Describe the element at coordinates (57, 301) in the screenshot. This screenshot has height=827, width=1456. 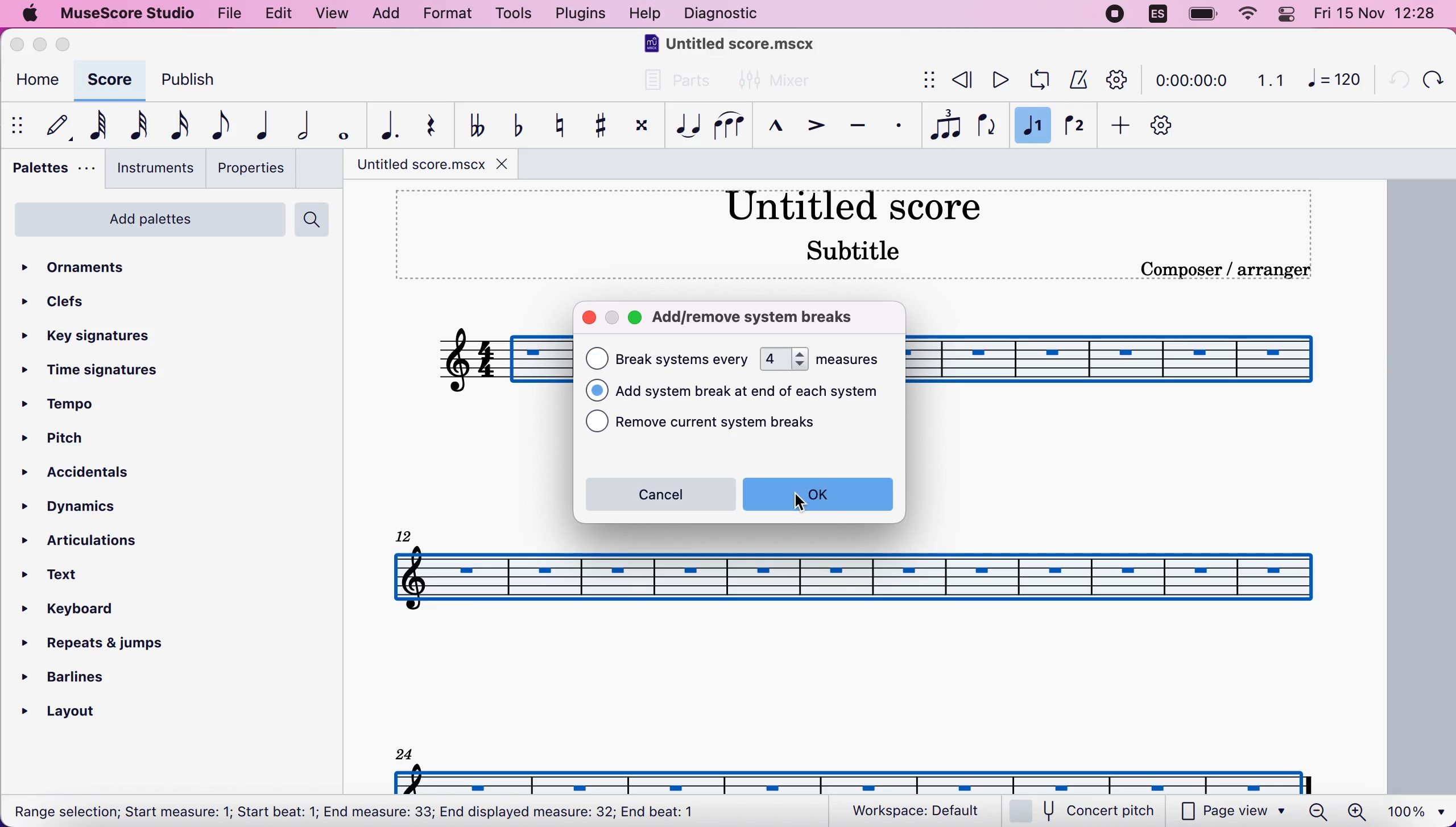
I see `clefs` at that location.